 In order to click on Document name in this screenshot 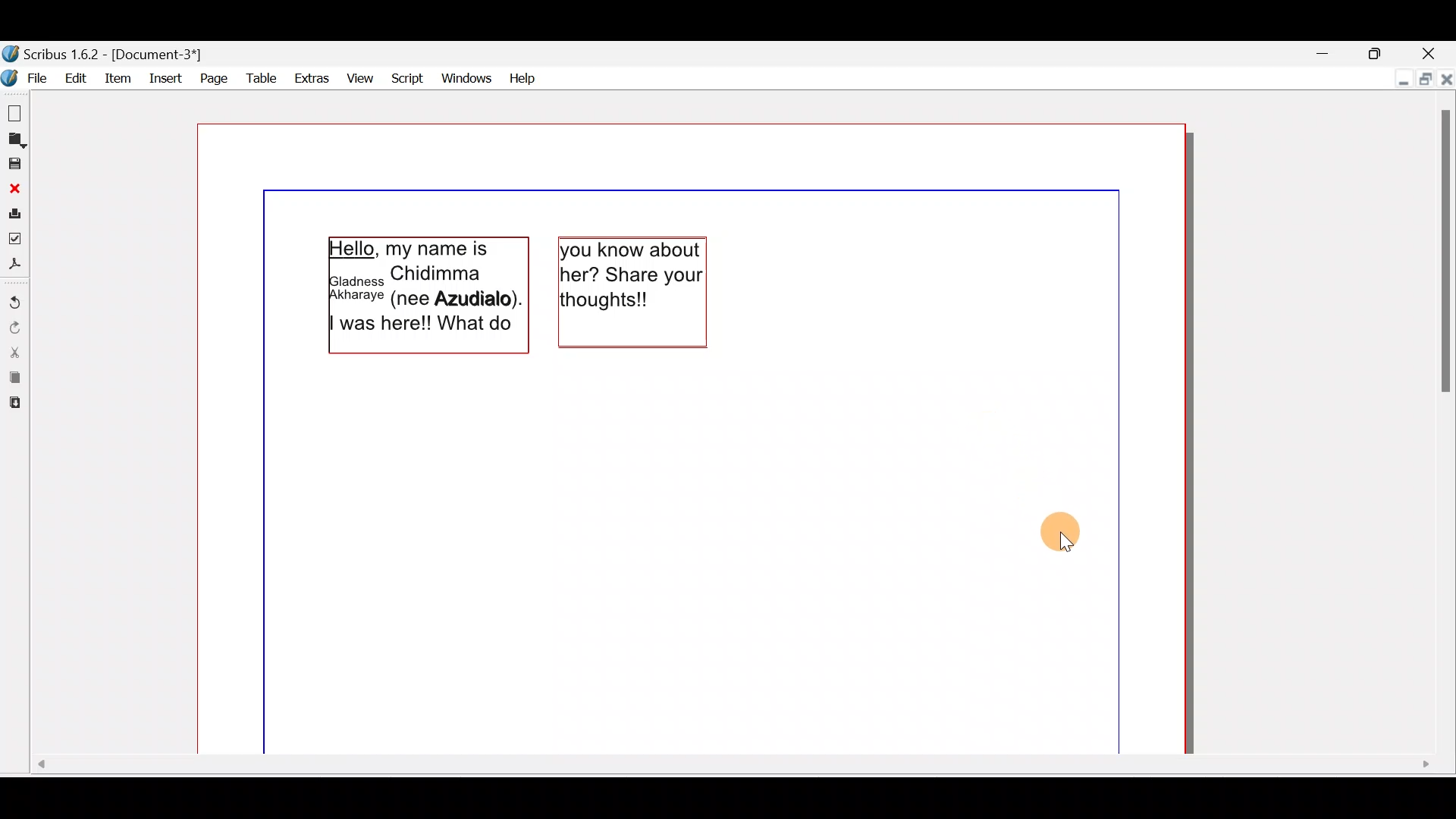, I will do `click(115, 54)`.